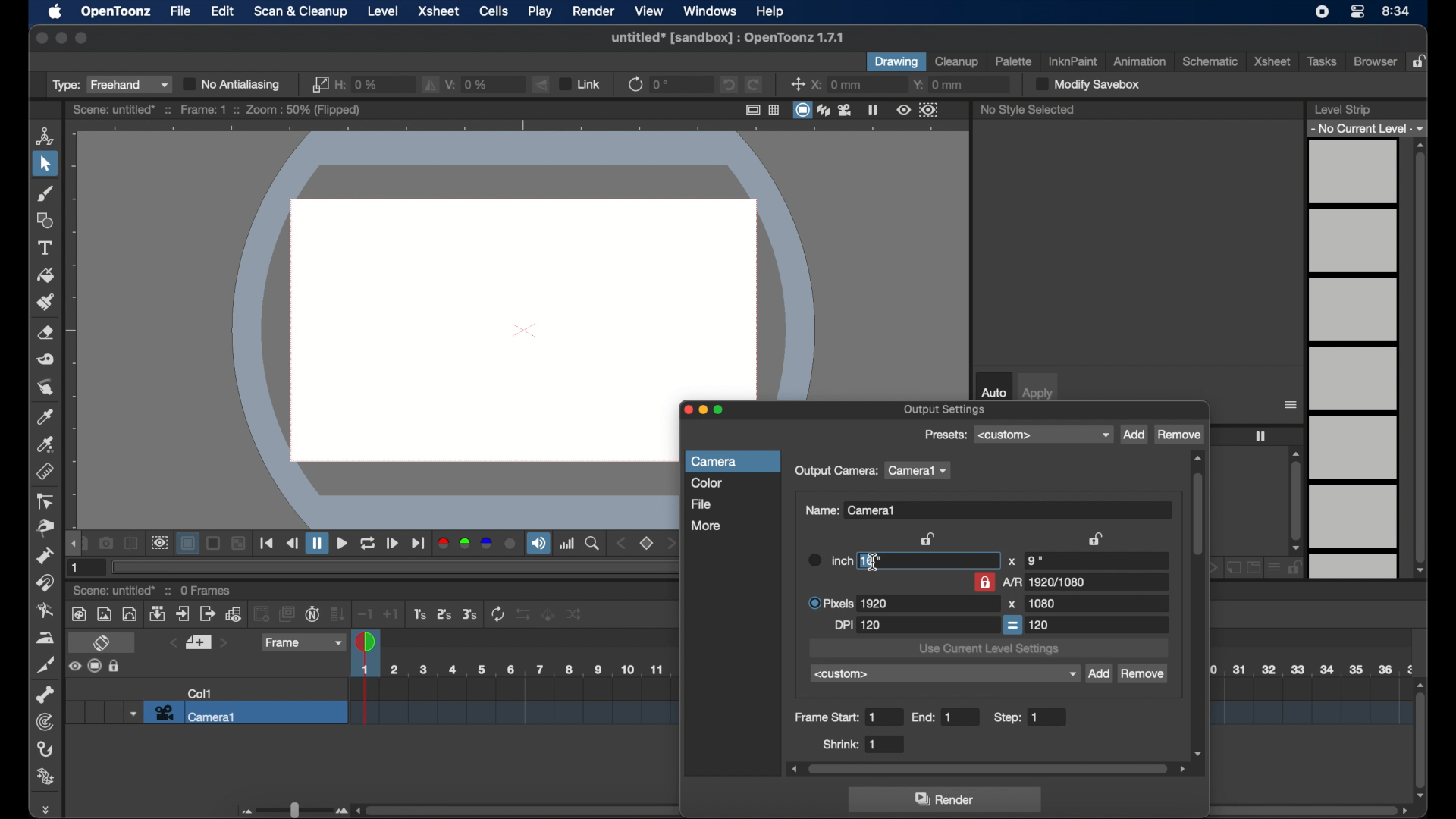 Image resolution: width=1456 pixels, height=819 pixels. I want to click on dpi, so click(858, 626).